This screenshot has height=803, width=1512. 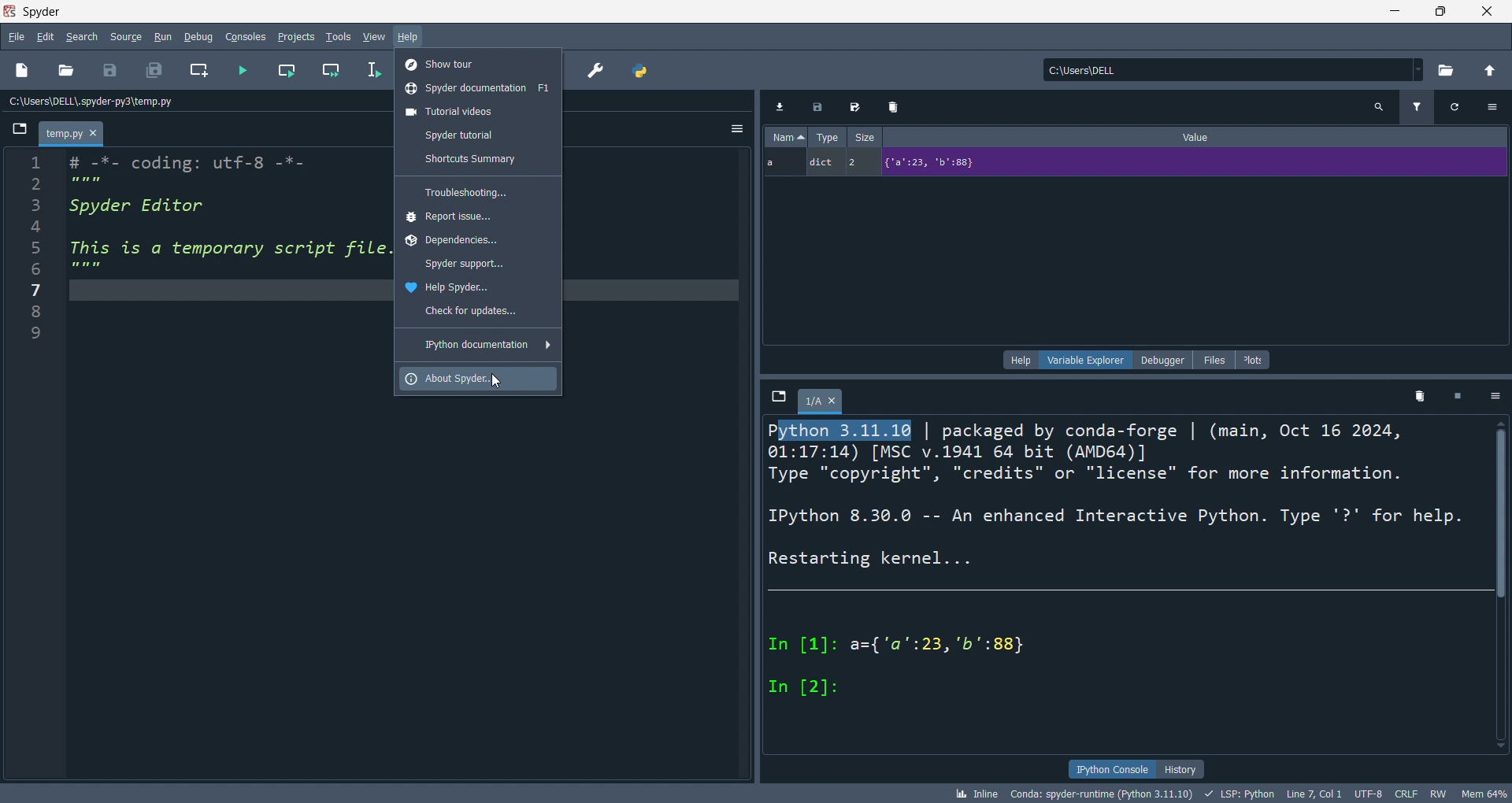 What do you see at coordinates (375, 38) in the screenshot?
I see `view` at bounding box center [375, 38].